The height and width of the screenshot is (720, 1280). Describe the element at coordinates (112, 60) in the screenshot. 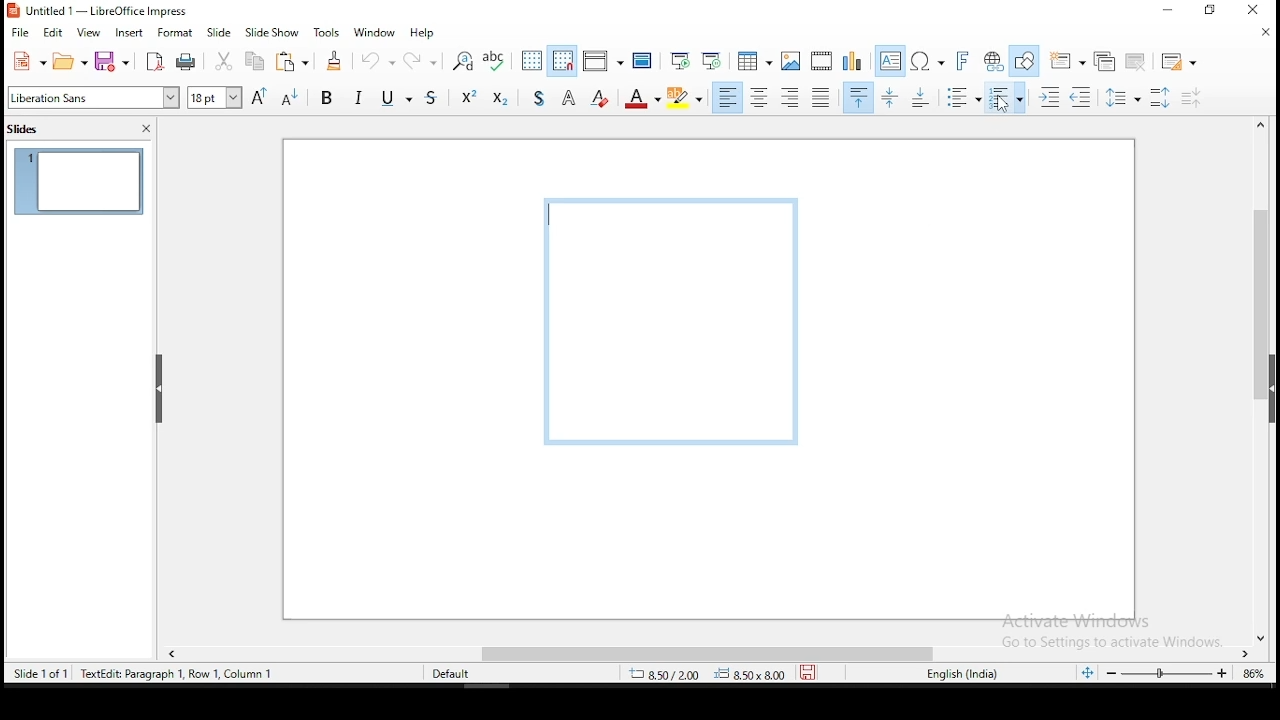

I see `save` at that location.